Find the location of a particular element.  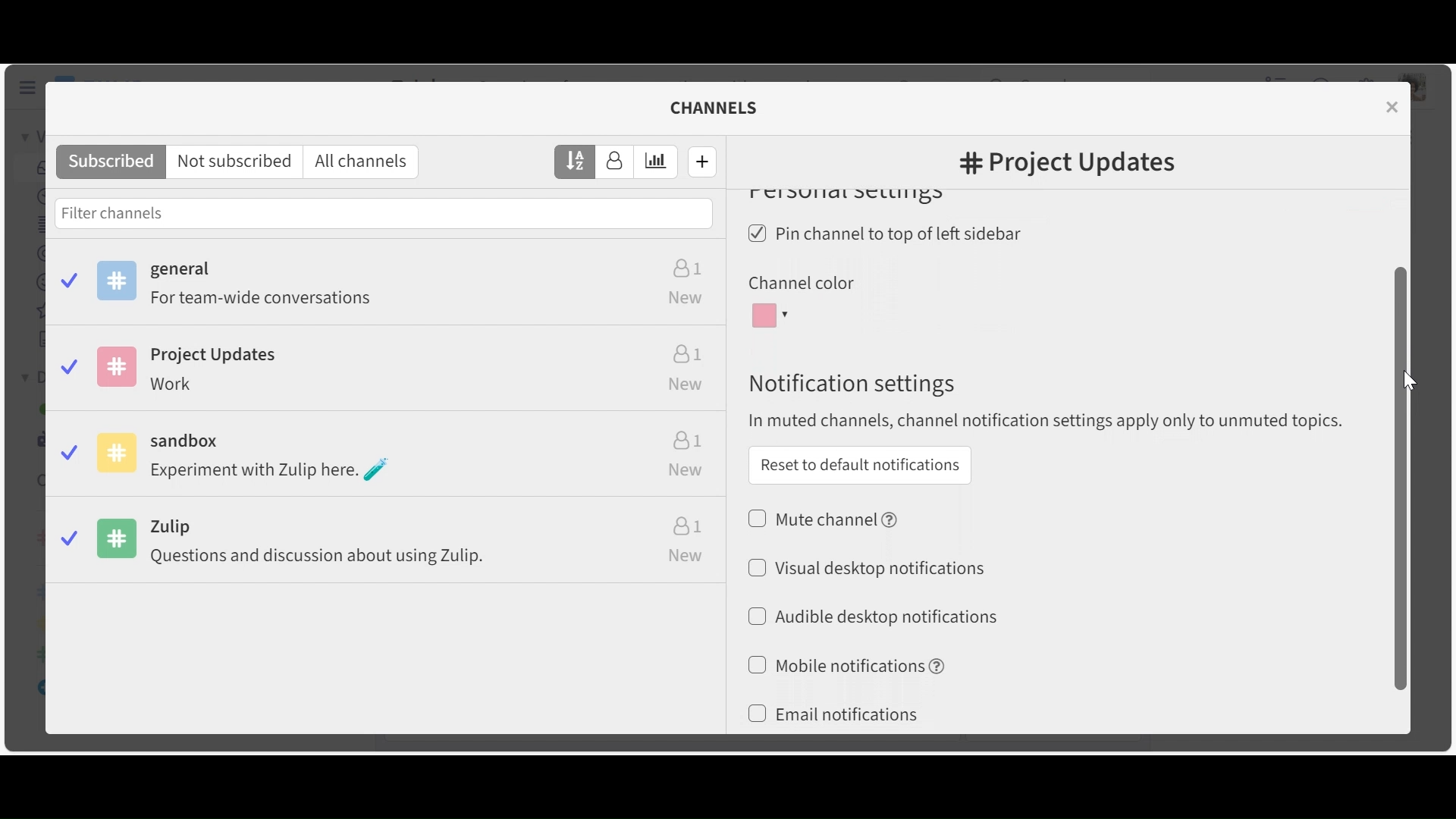

Channel color dropdown menu is located at coordinates (773, 316).